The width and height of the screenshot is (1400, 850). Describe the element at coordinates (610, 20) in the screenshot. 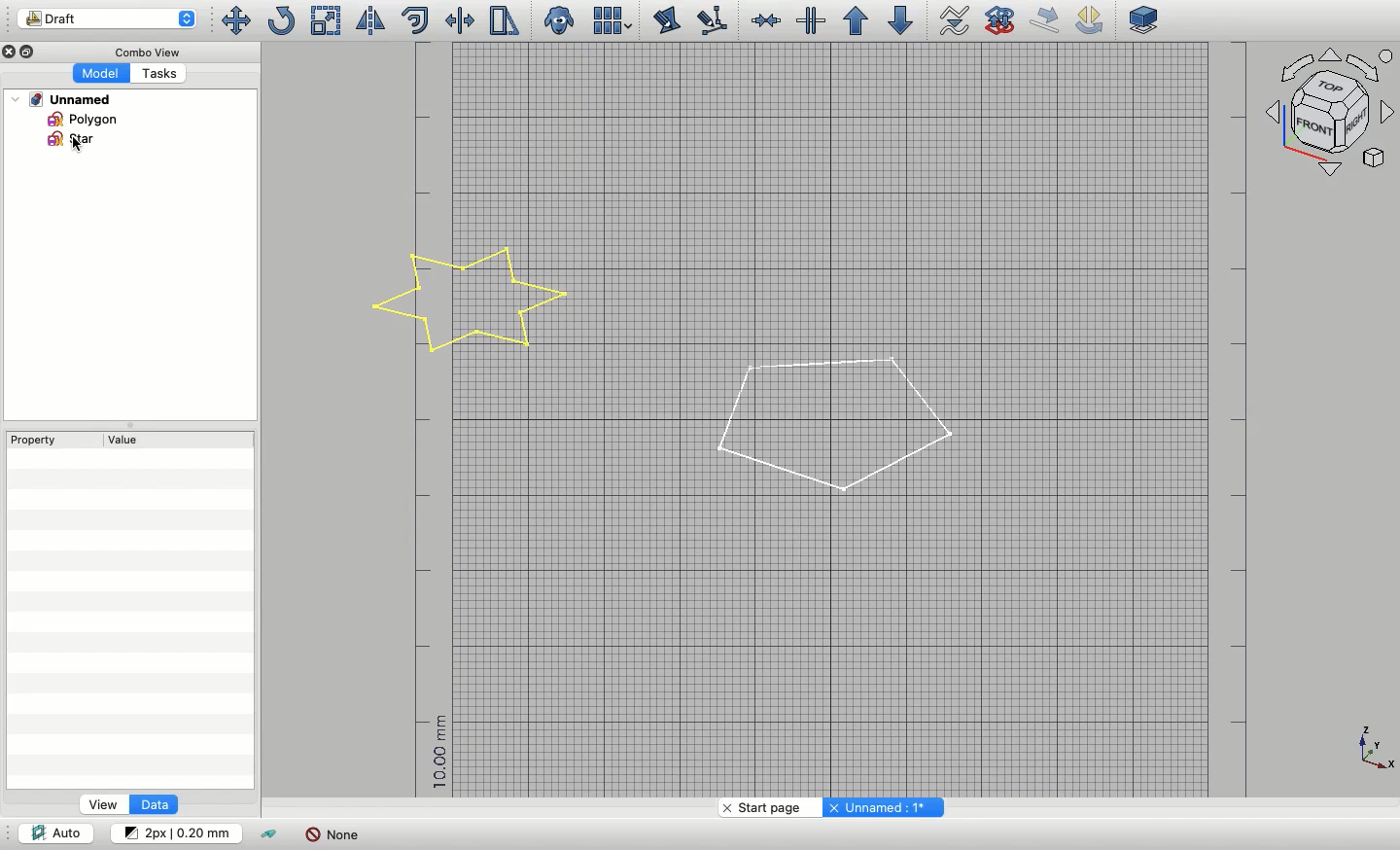

I see `Array tools` at that location.